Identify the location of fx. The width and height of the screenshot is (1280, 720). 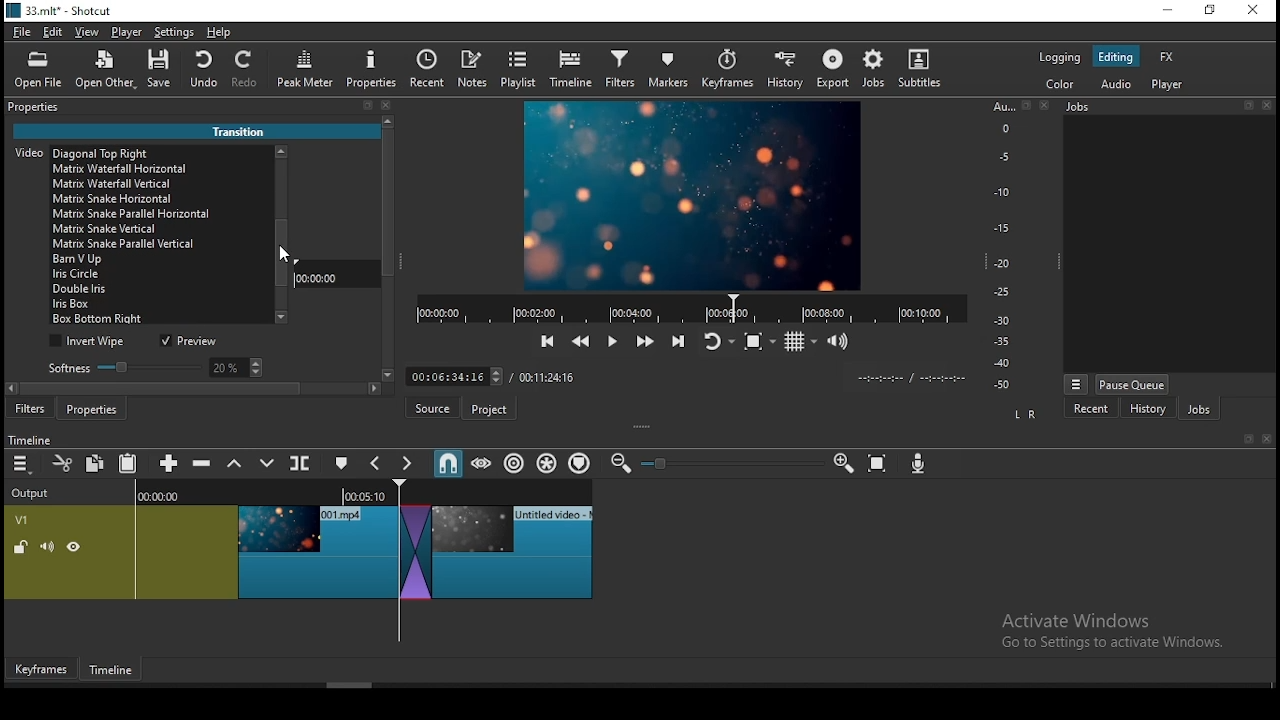
(1167, 58).